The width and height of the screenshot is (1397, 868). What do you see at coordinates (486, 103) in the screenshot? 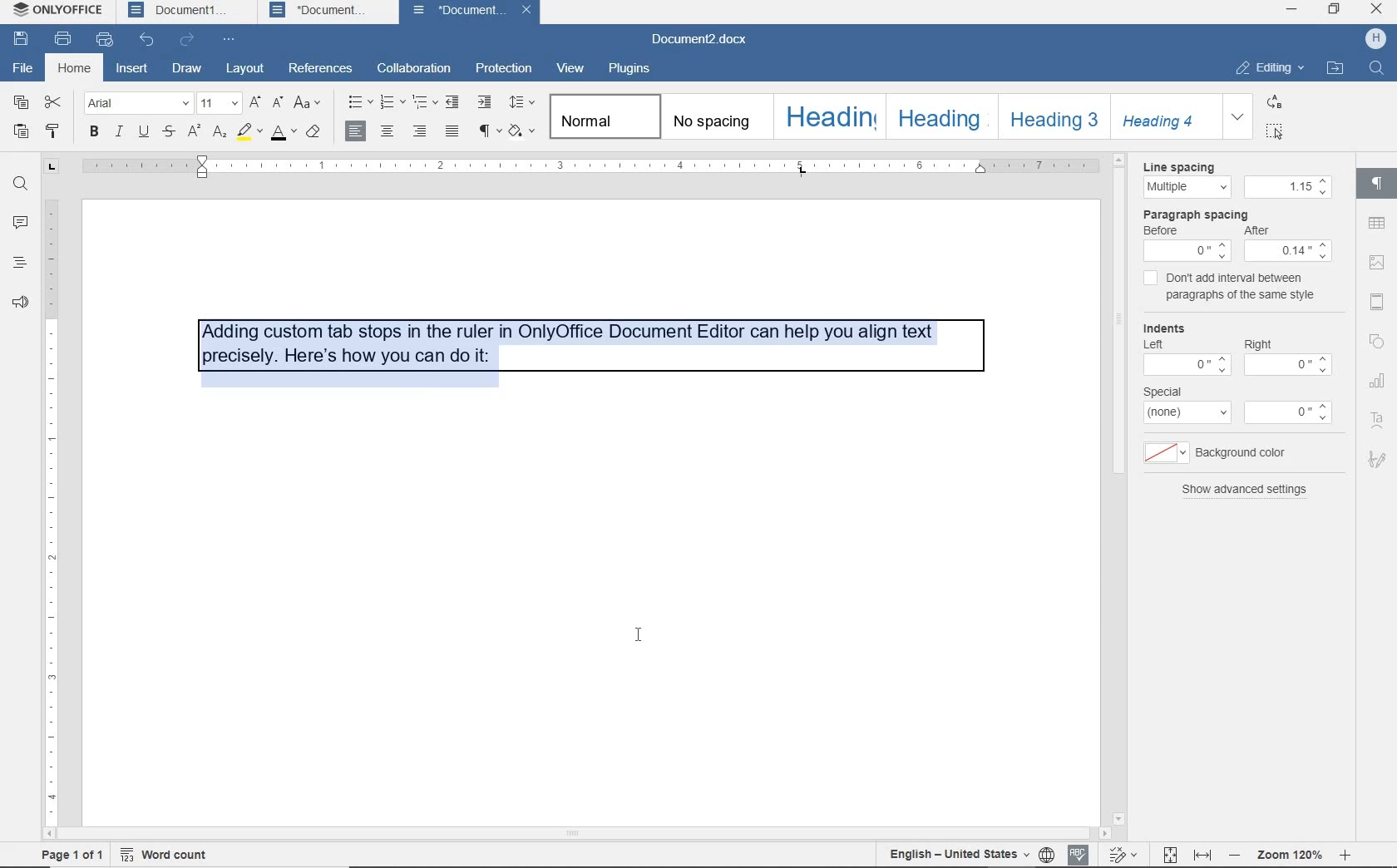
I see `increase indent` at bounding box center [486, 103].